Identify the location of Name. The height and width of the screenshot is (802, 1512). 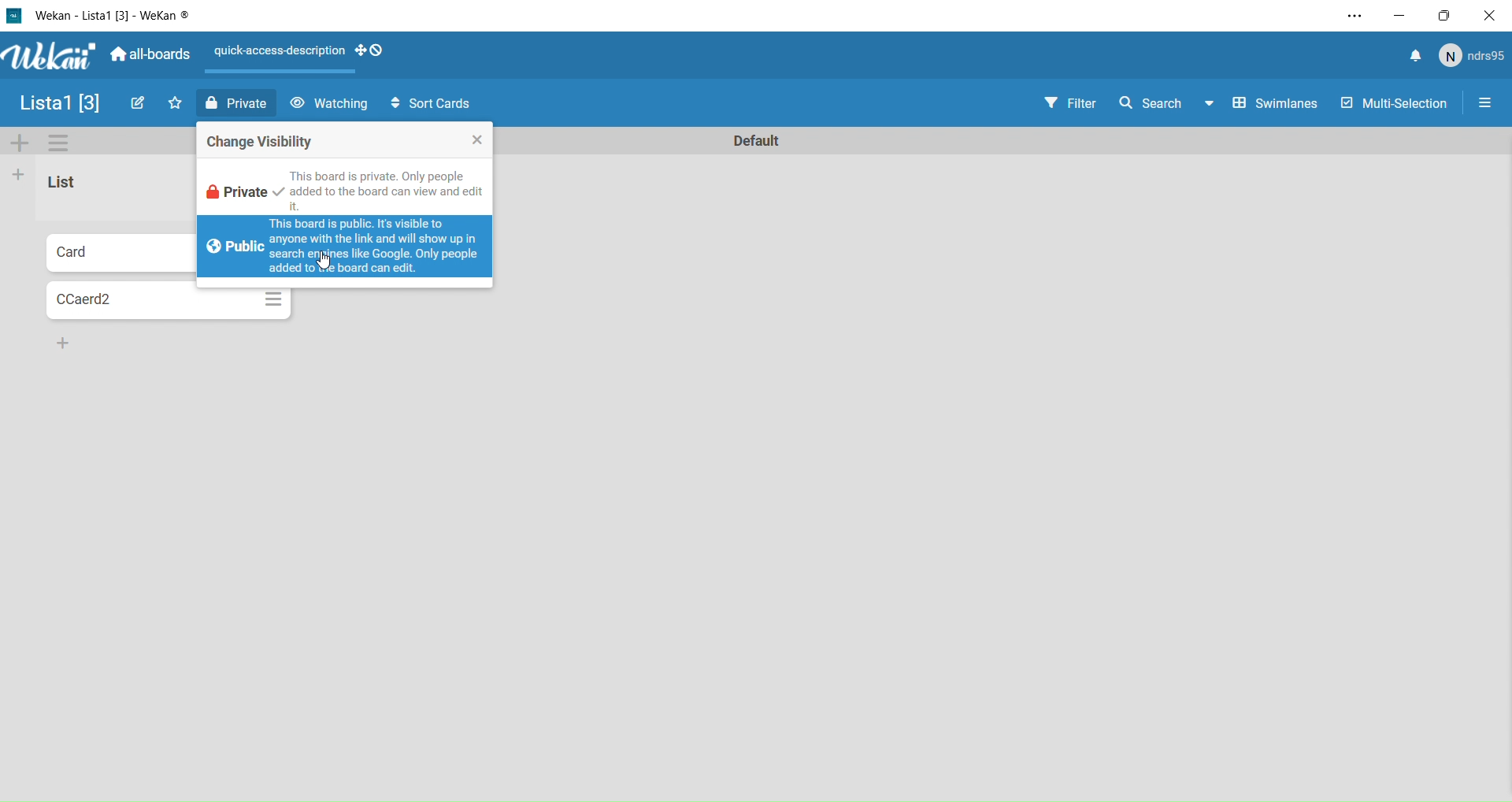
(59, 102).